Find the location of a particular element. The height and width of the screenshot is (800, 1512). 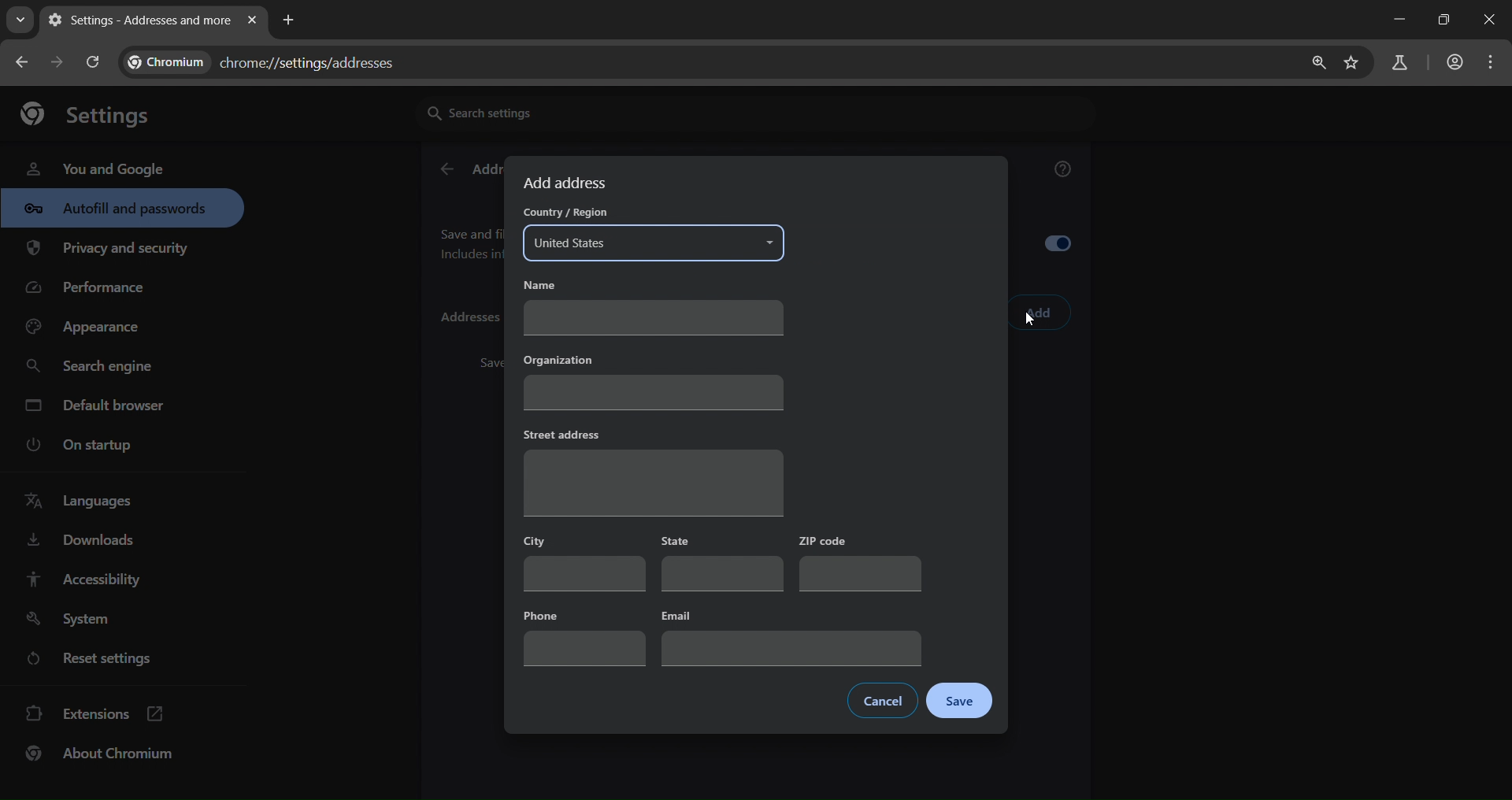

close is located at coordinates (1492, 21).